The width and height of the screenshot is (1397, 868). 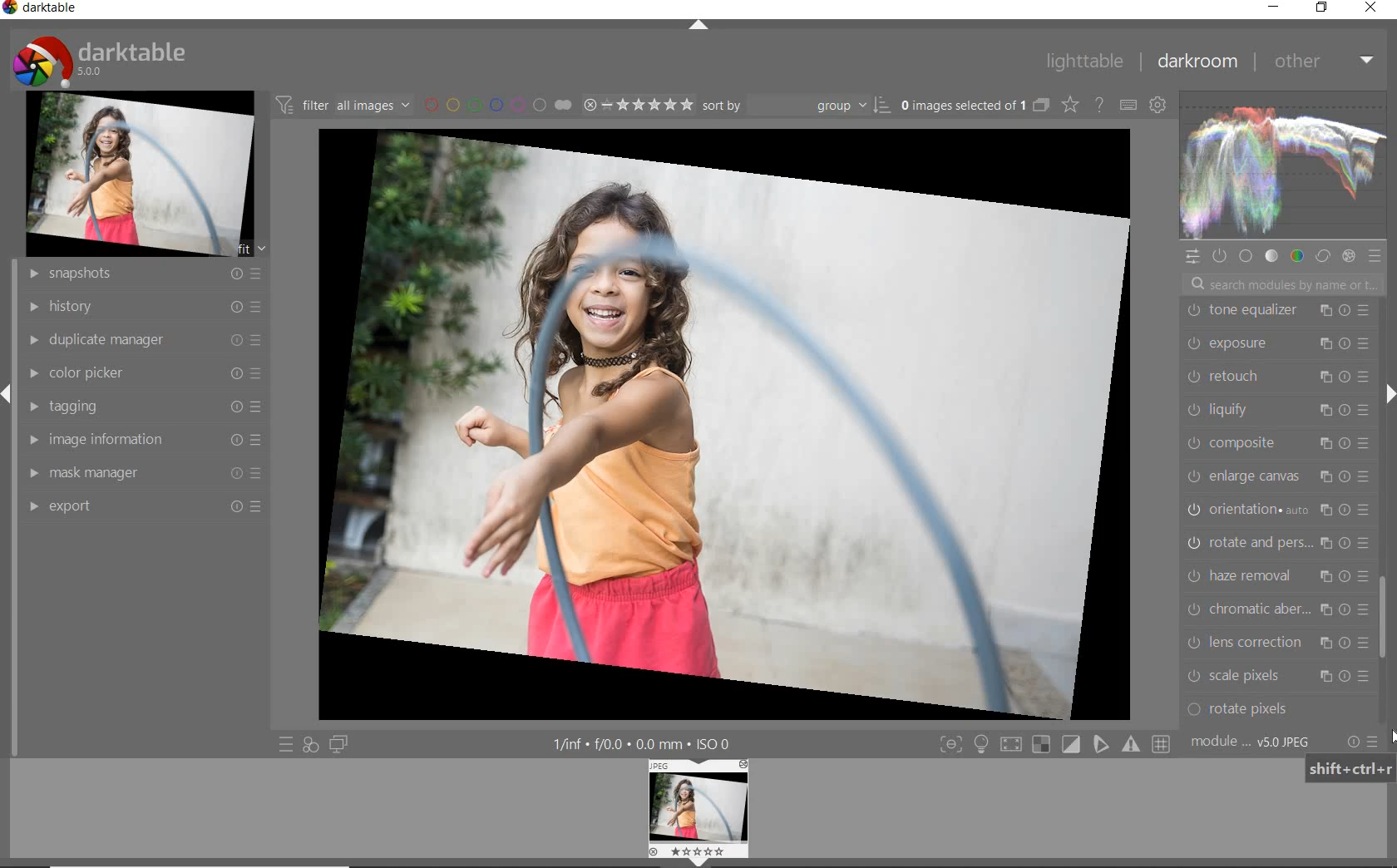 What do you see at coordinates (697, 27) in the screenshot?
I see `expand/collapse` at bounding box center [697, 27].